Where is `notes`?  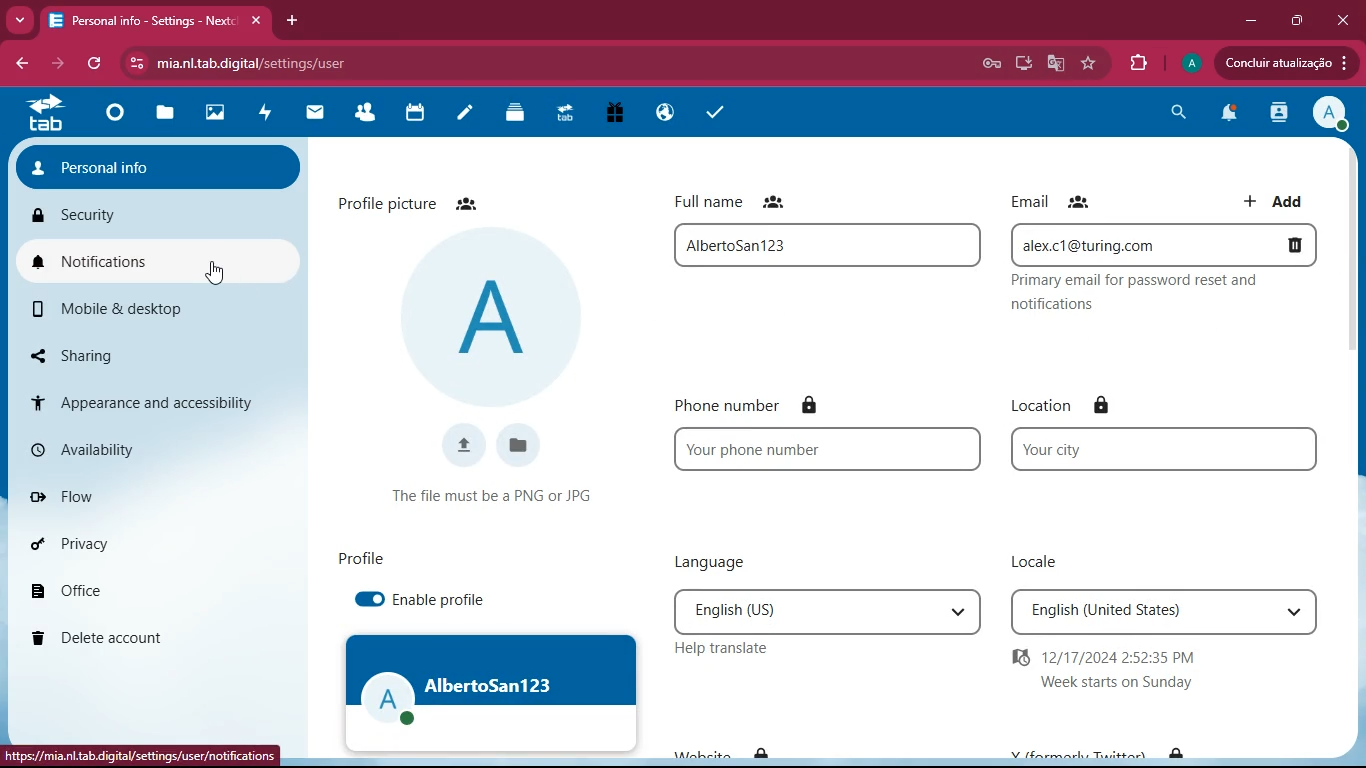 notes is located at coordinates (467, 112).